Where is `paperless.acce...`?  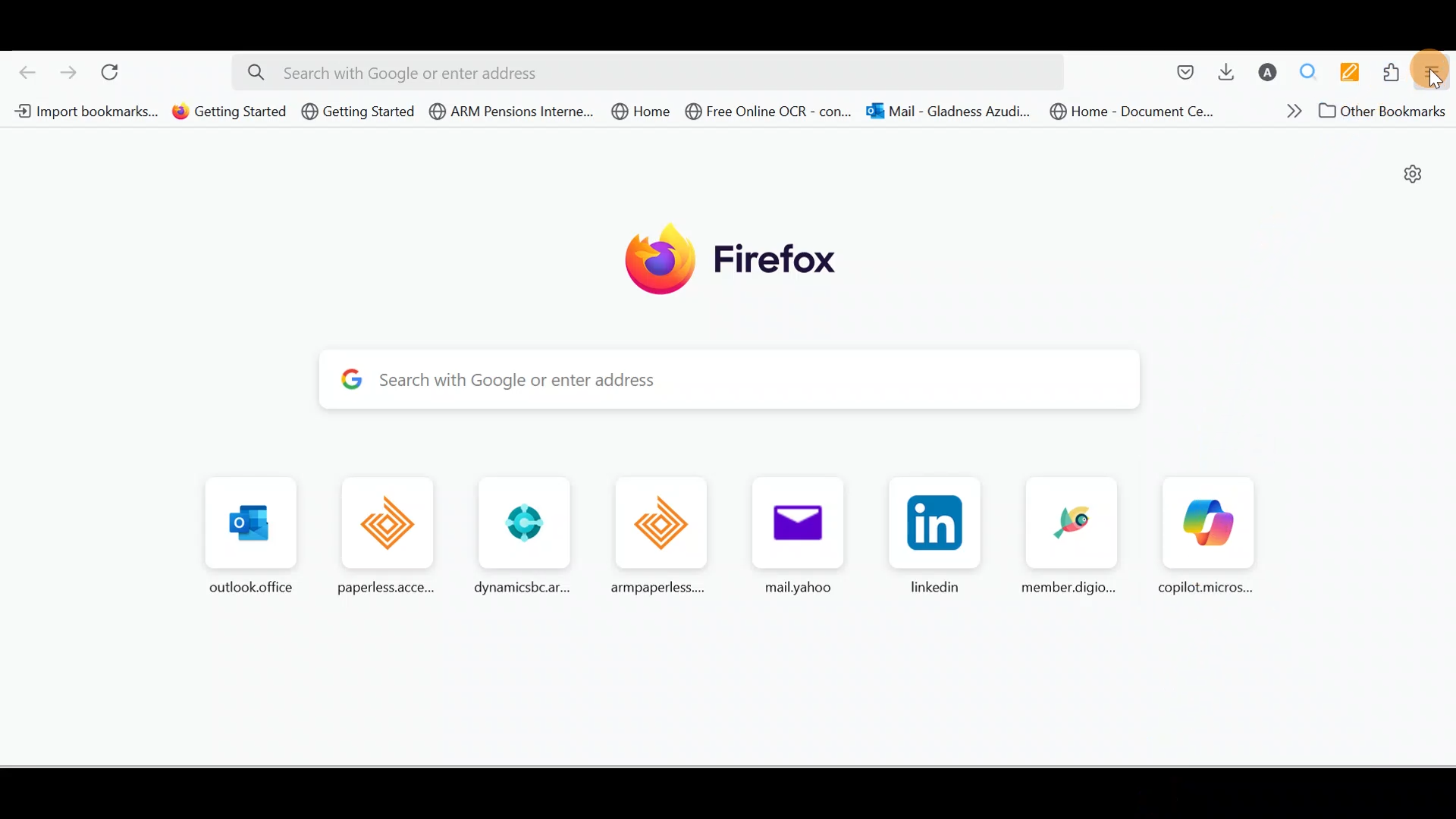 paperless.acce... is located at coordinates (379, 536).